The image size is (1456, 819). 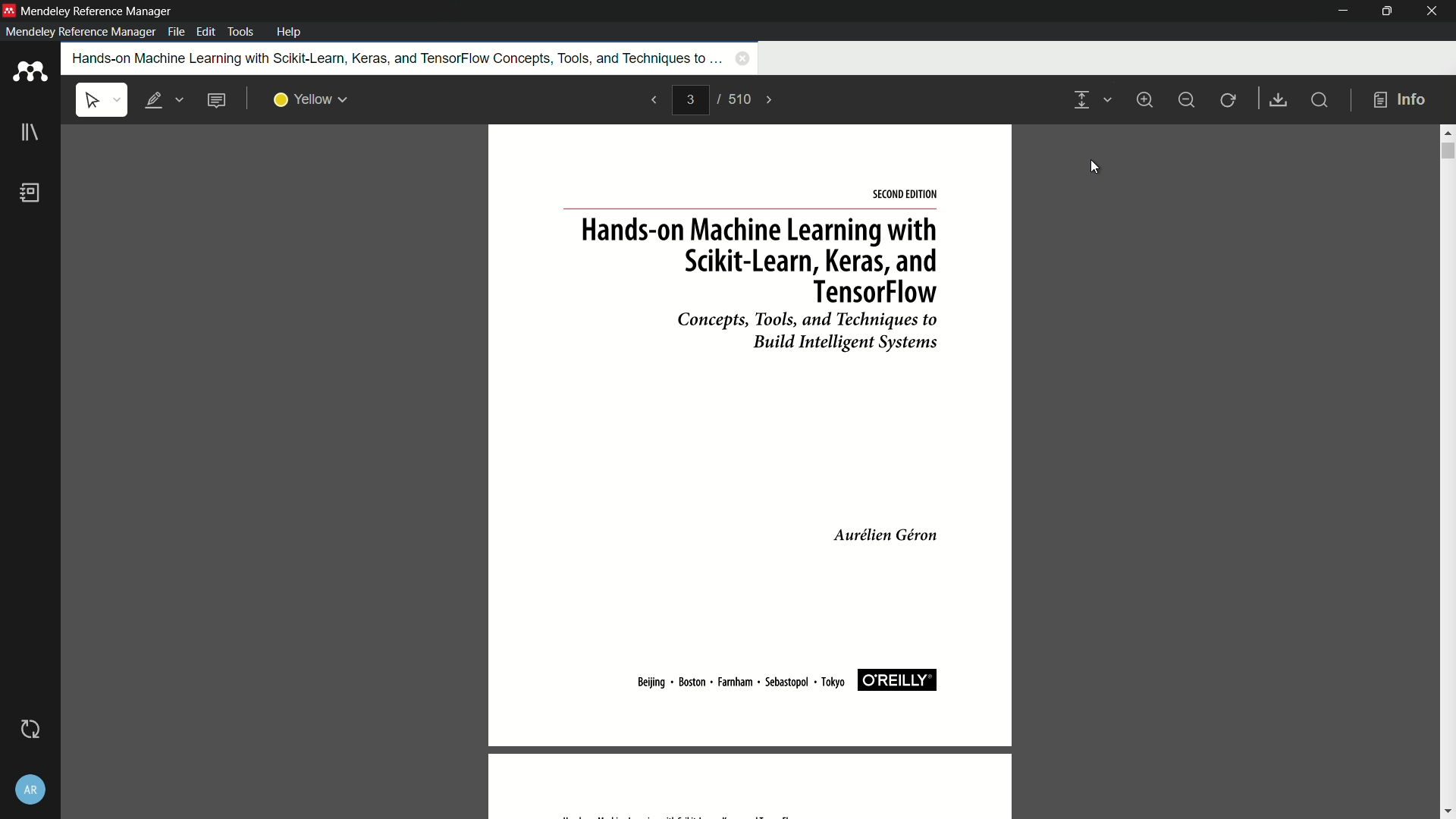 What do you see at coordinates (243, 32) in the screenshot?
I see `tools menu` at bounding box center [243, 32].